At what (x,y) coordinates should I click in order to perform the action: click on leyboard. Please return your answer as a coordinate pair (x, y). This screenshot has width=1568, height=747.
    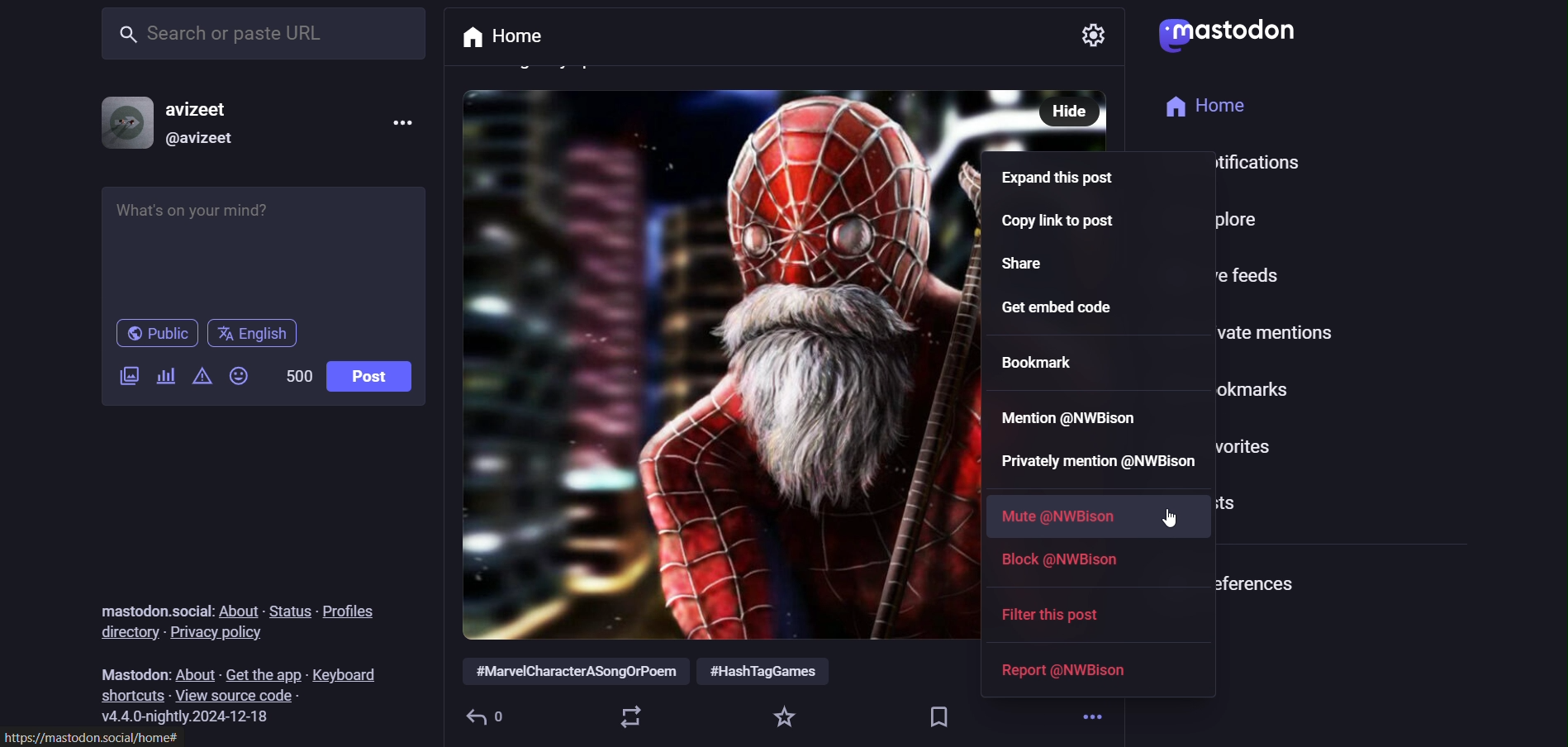
    Looking at the image, I should click on (349, 668).